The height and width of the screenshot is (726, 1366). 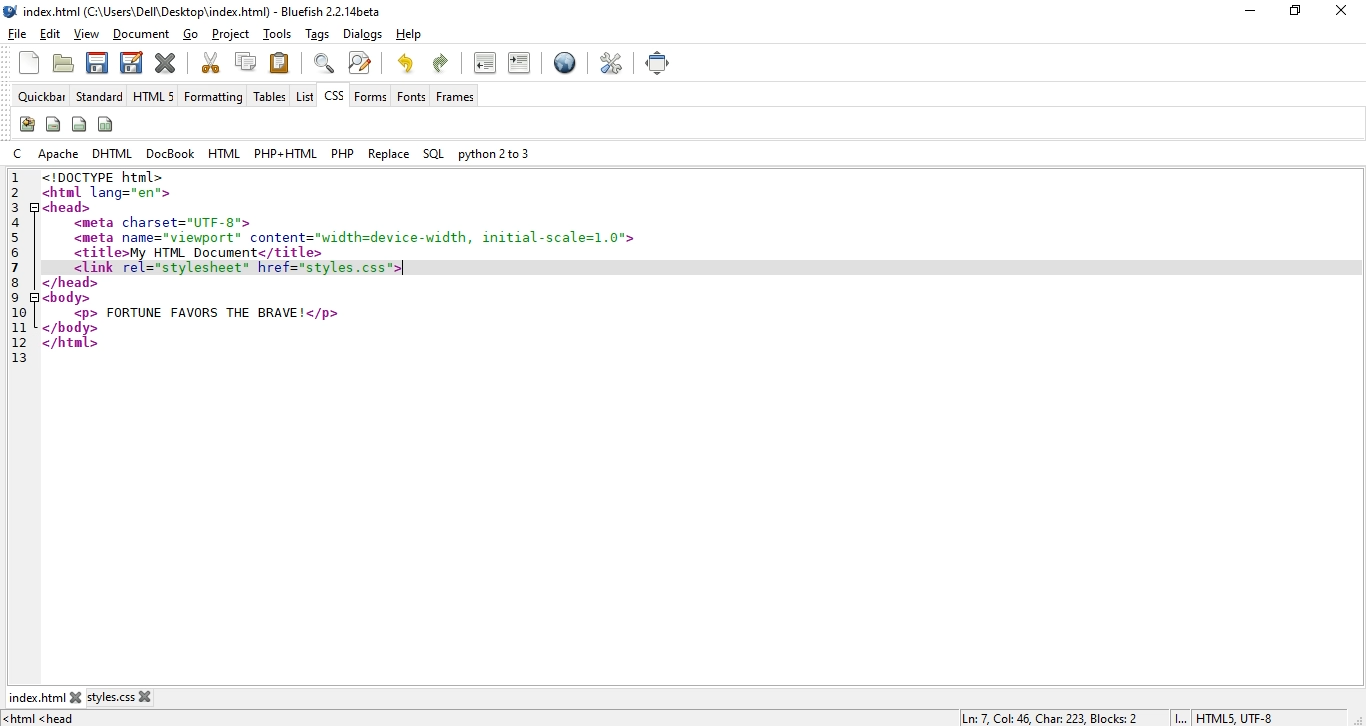 I want to click on paste, so click(x=280, y=62).